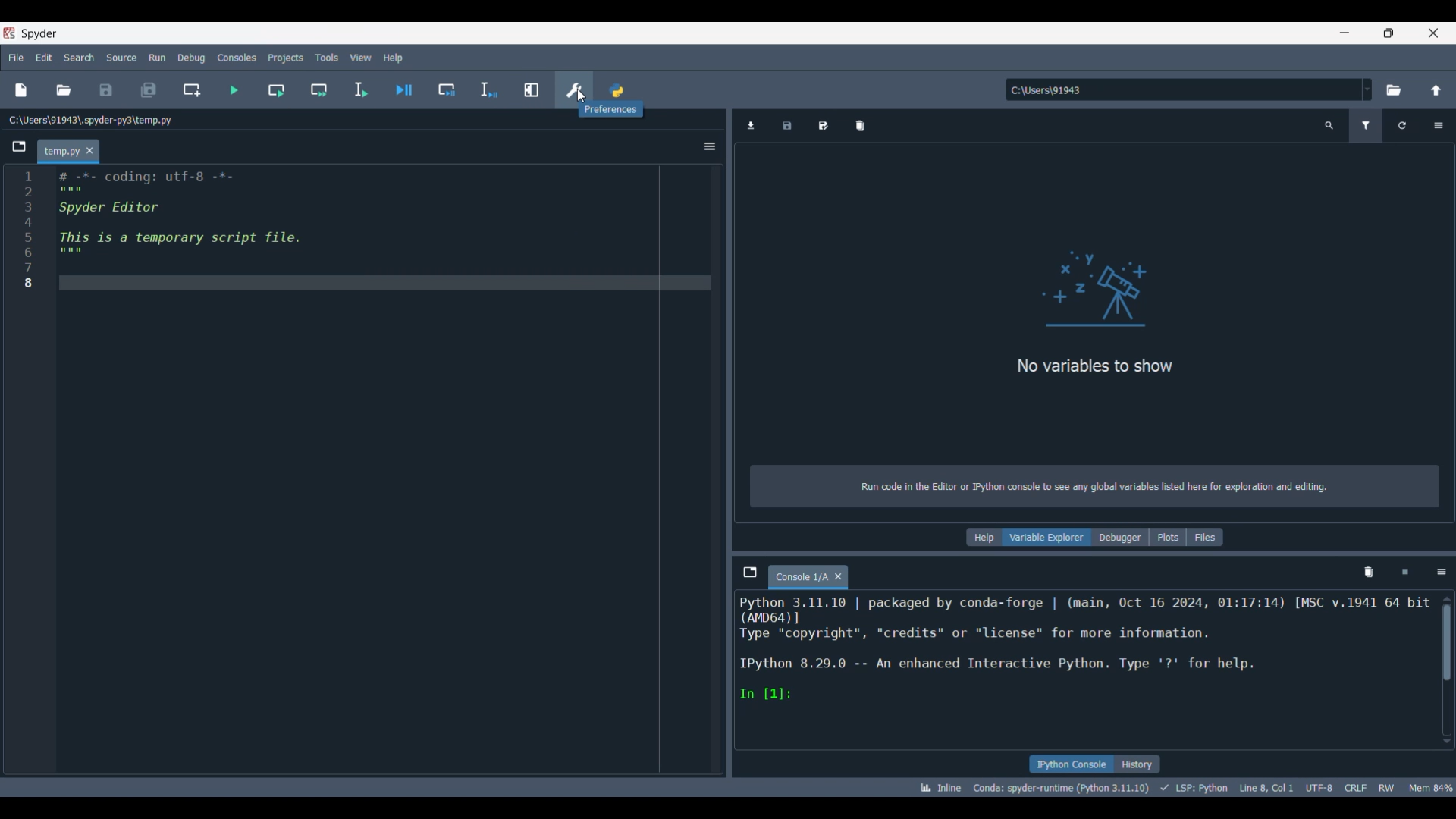  Describe the element at coordinates (1367, 126) in the screenshot. I see `Filter variables` at that location.